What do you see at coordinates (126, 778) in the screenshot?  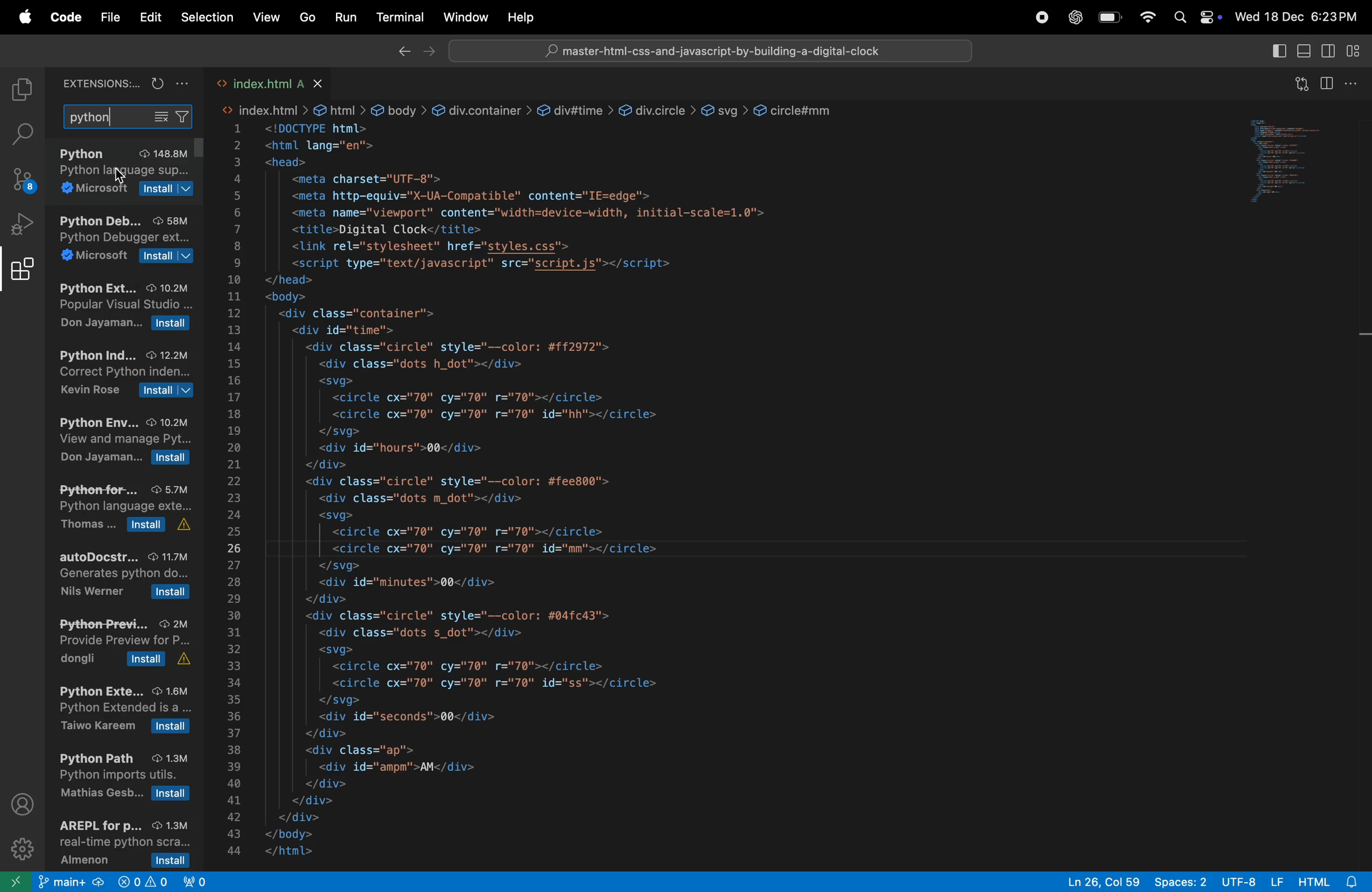 I see `pythonpath ` at bounding box center [126, 778].